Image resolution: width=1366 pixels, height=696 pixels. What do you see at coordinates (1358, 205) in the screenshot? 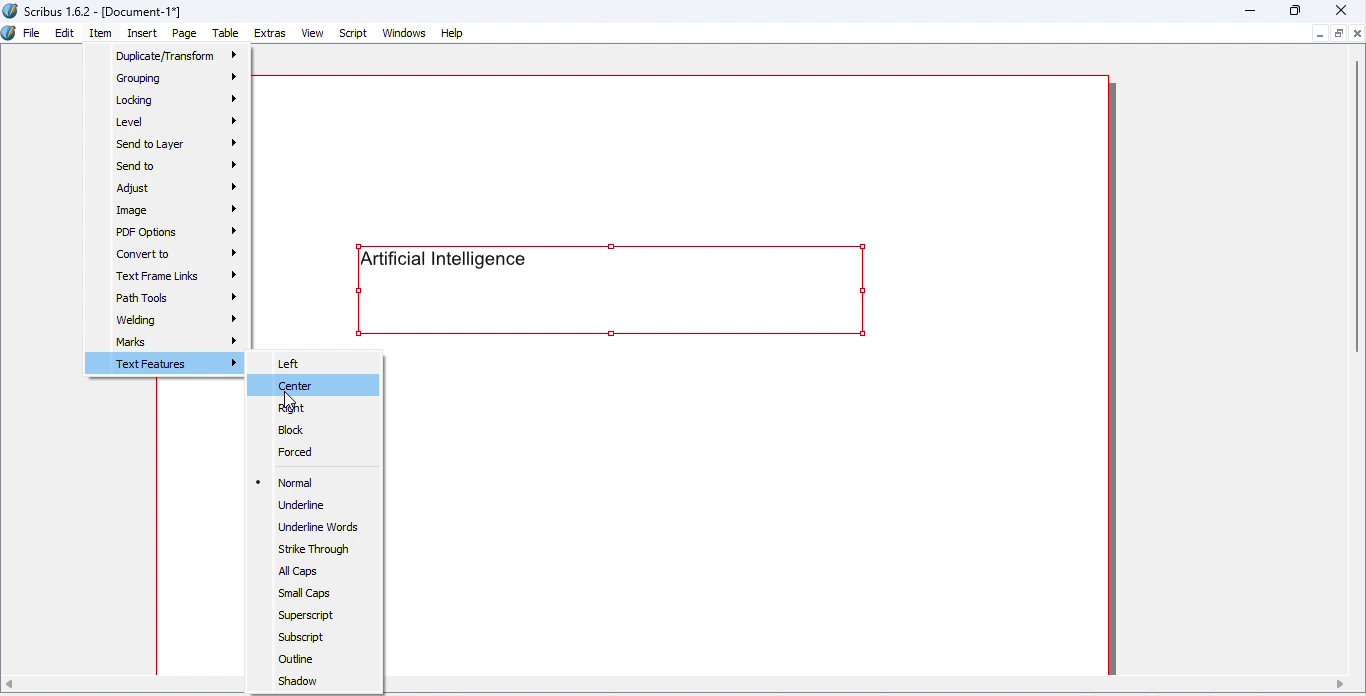
I see `Vertical scroll bar` at bounding box center [1358, 205].